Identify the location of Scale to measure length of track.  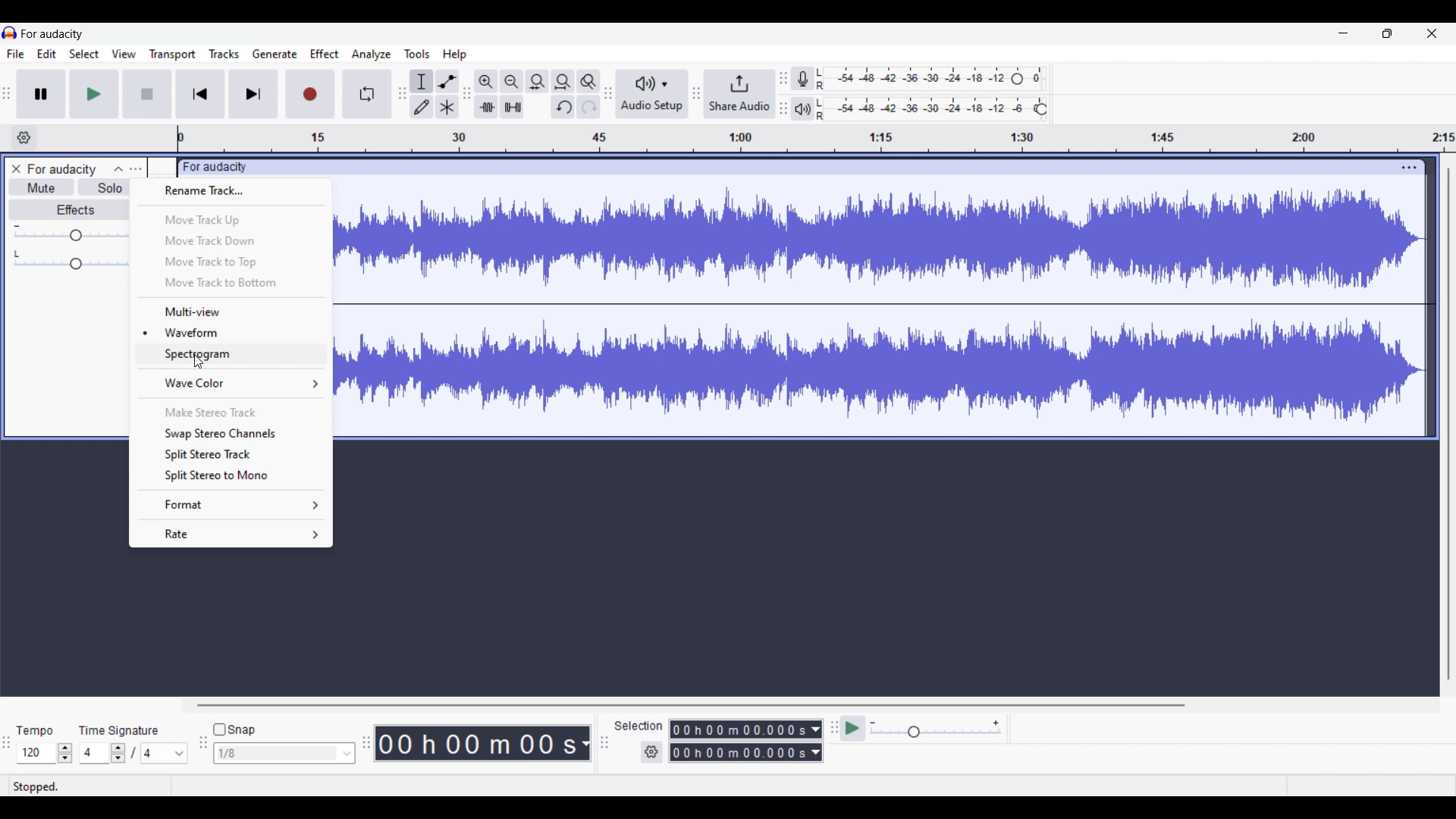
(816, 139).